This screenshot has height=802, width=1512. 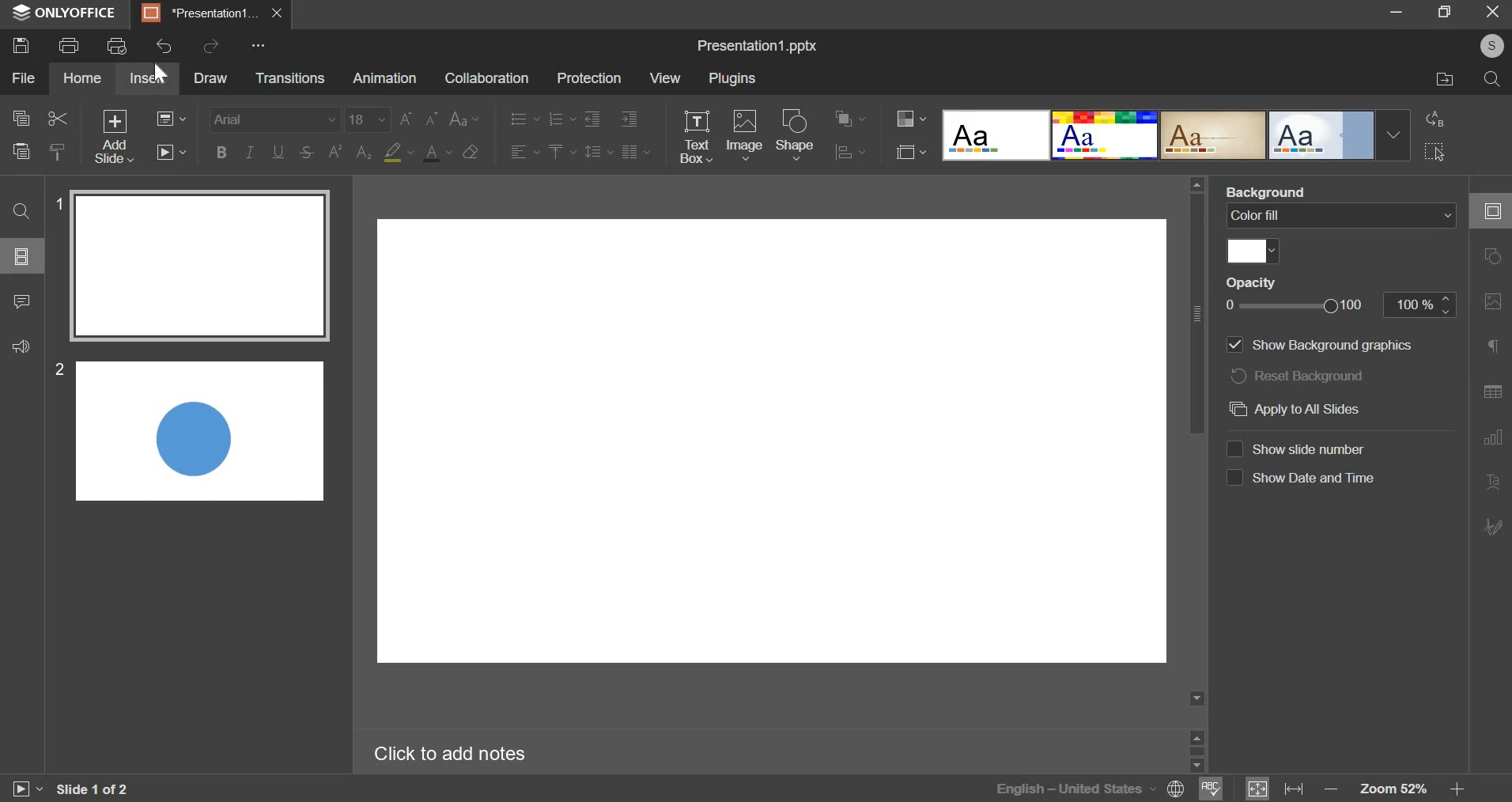 What do you see at coordinates (596, 119) in the screenshot?
I see `indent increase` at bounding box center [596, 119].